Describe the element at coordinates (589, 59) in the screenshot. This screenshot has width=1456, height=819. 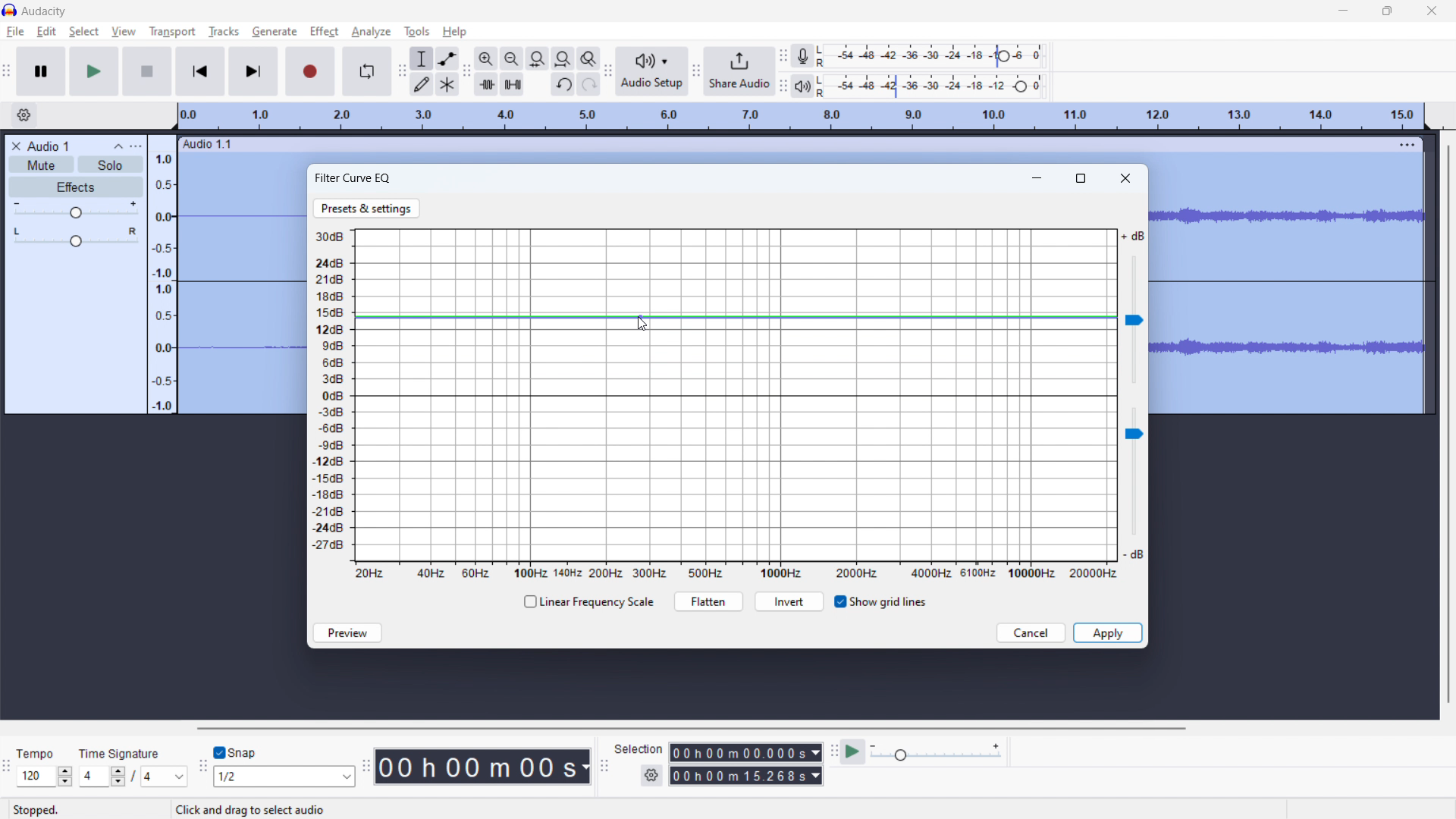
I see `toggle zoom` at that location.